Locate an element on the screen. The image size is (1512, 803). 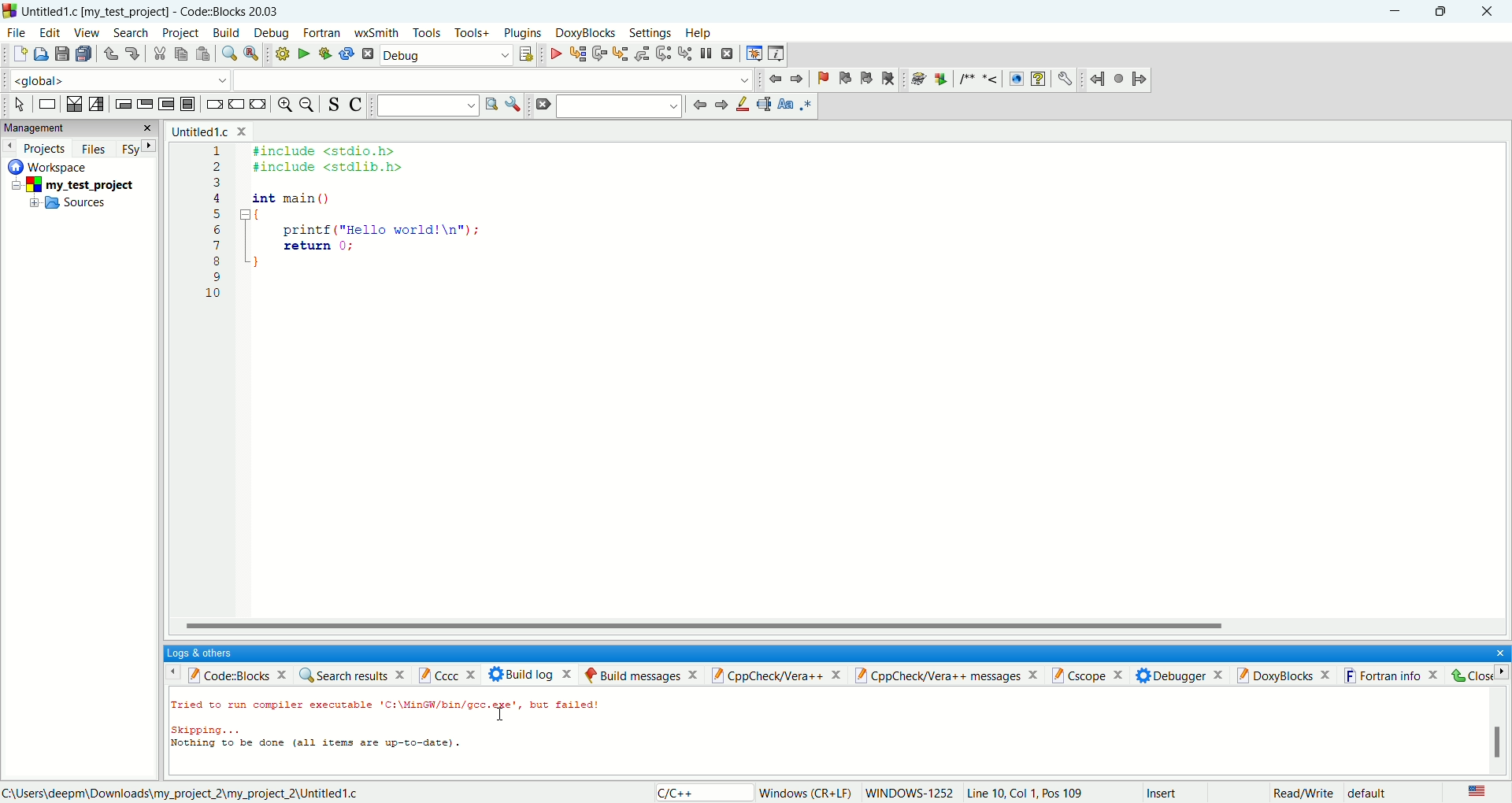
next bookmark is located at coordinates (864, 81).